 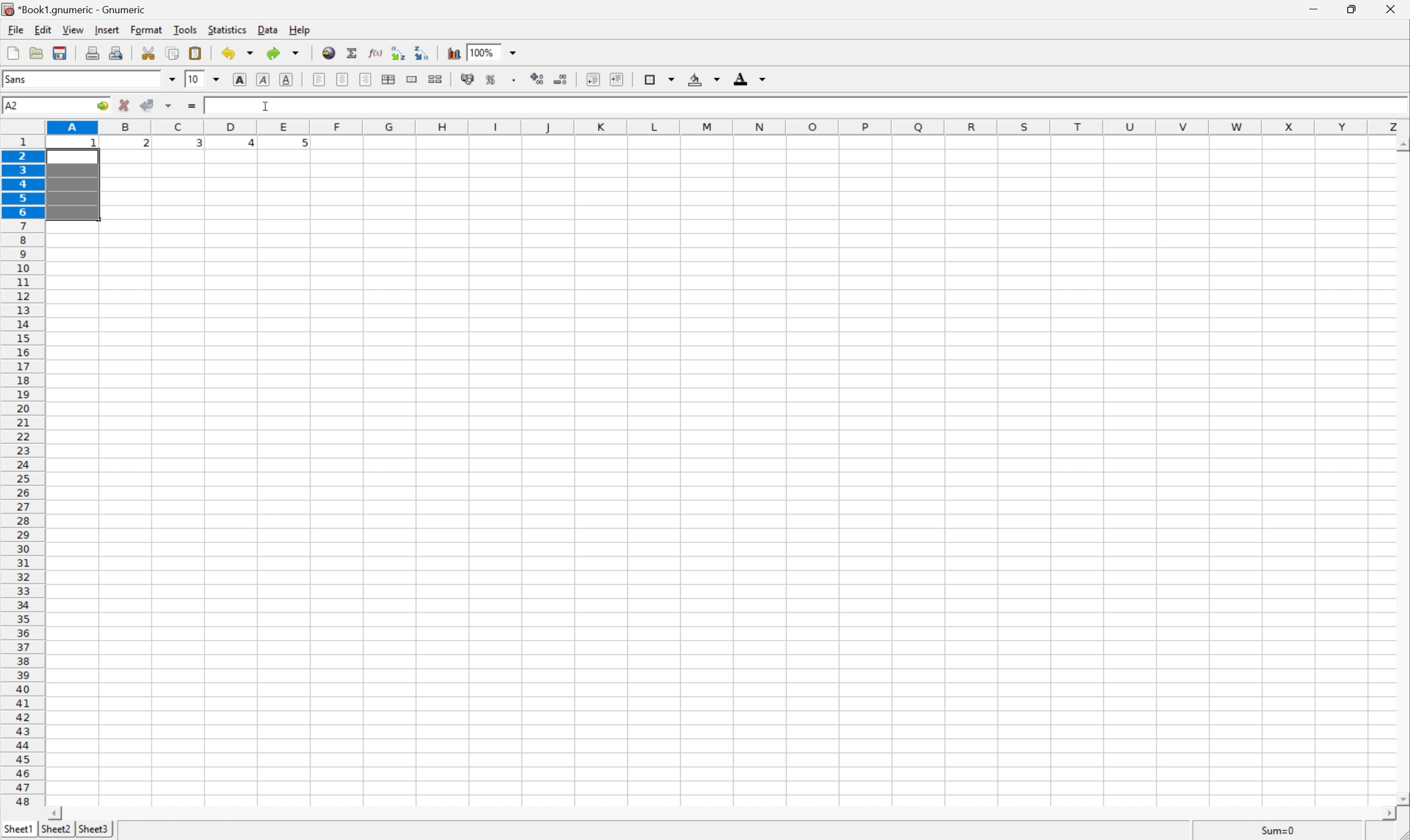 What do you see at coordinates (593, 80) in the screenshot?
I see `decrease indent` at bounding box center [593, 80].